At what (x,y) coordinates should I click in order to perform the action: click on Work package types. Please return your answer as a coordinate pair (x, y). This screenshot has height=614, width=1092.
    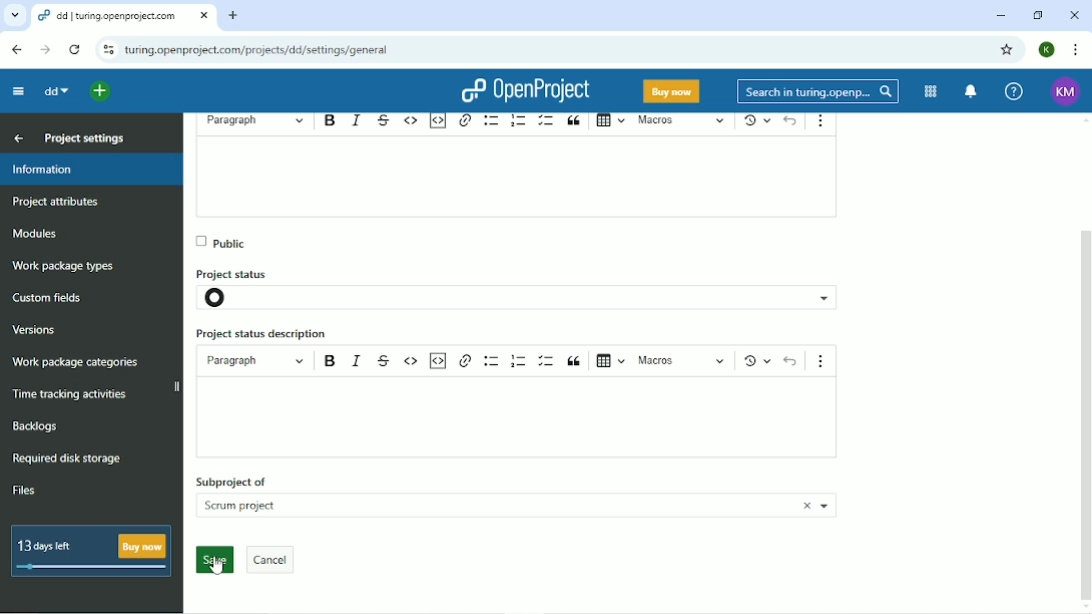
    Looking at the image, I should click on (64, 266).